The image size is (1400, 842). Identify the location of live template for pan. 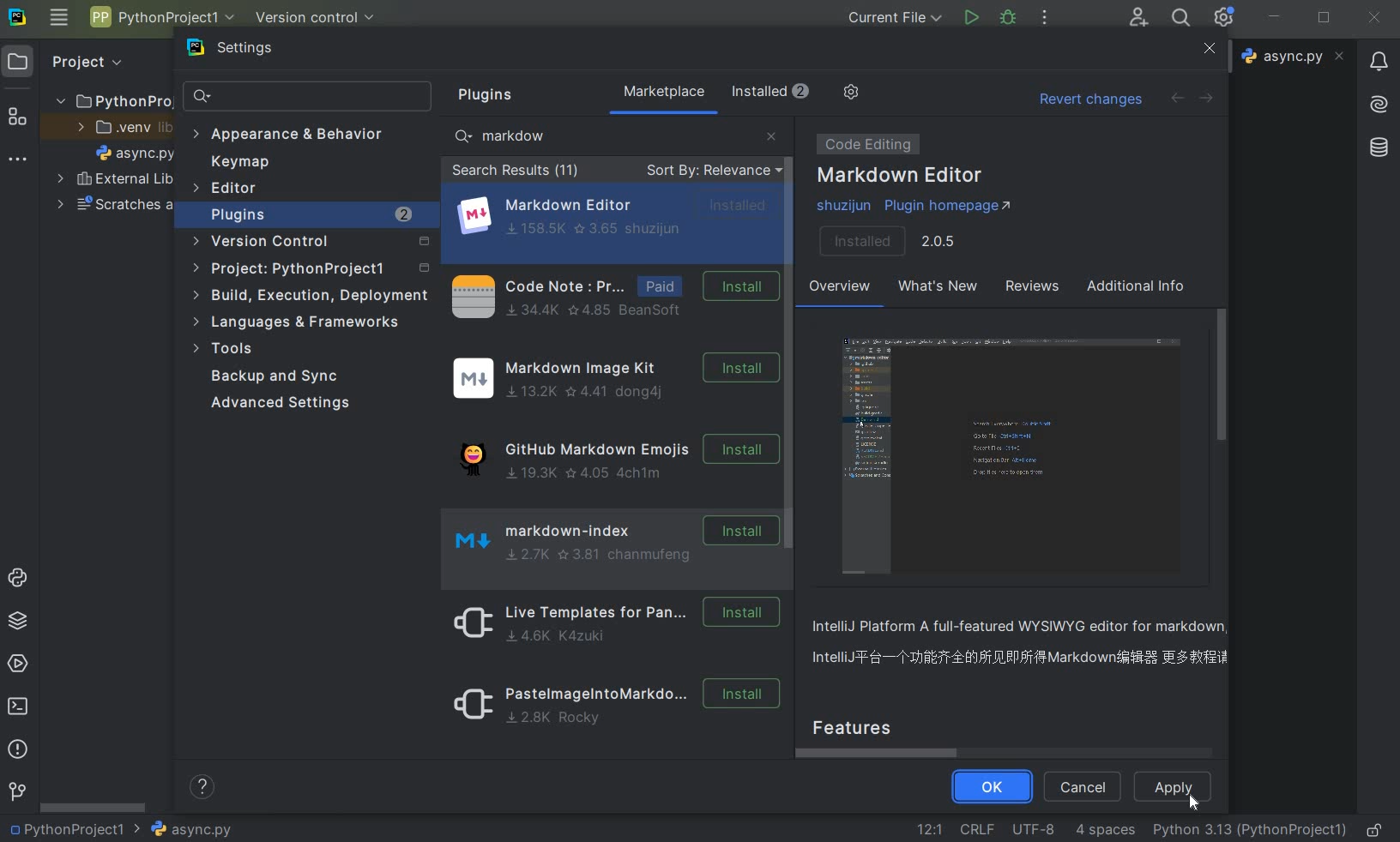
(611, 622).